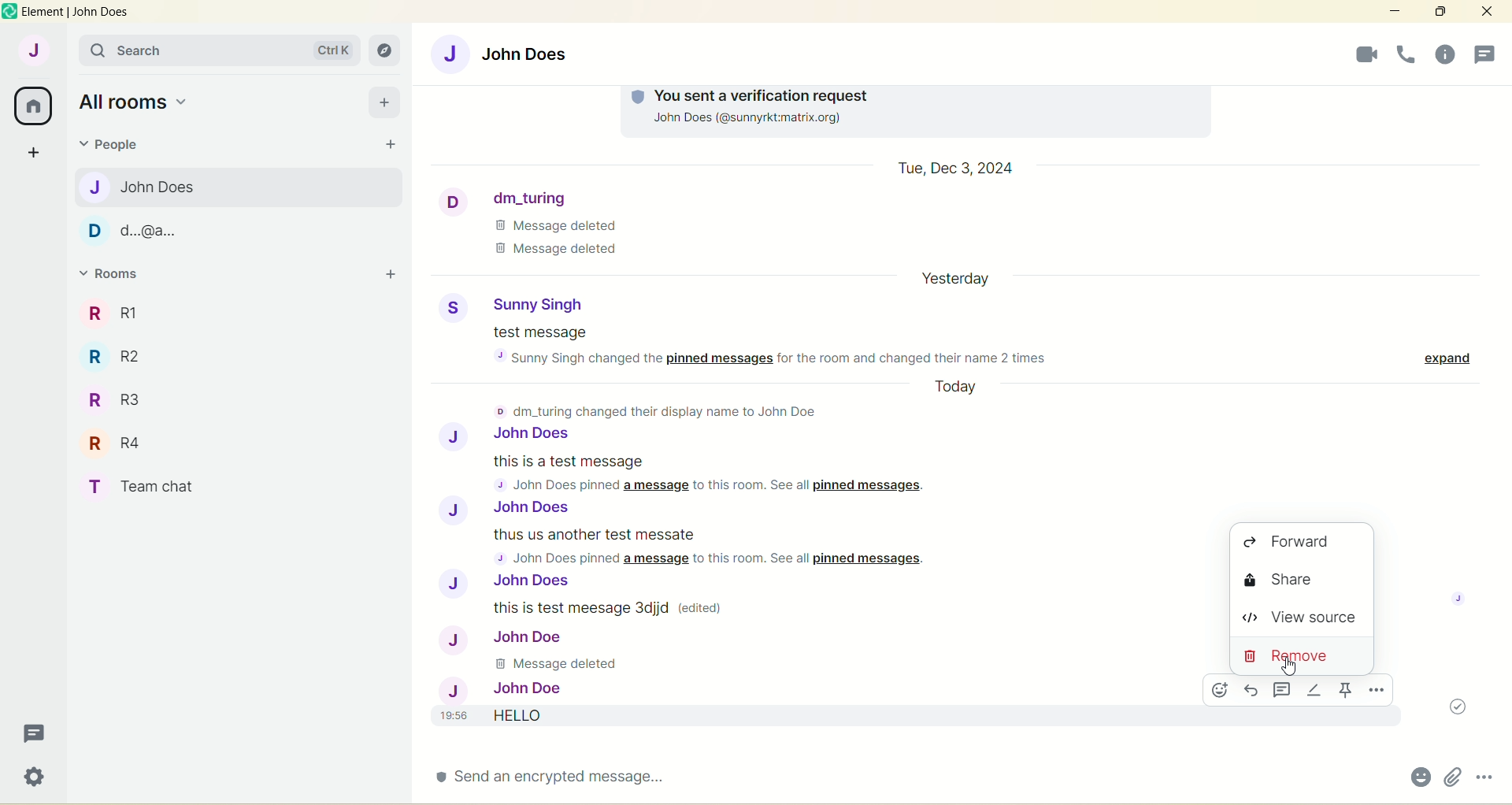  What do you see at coordinates (559, 783) in the screenshot?
I see `send an encrypted message...` at bounding box center [559, 783].